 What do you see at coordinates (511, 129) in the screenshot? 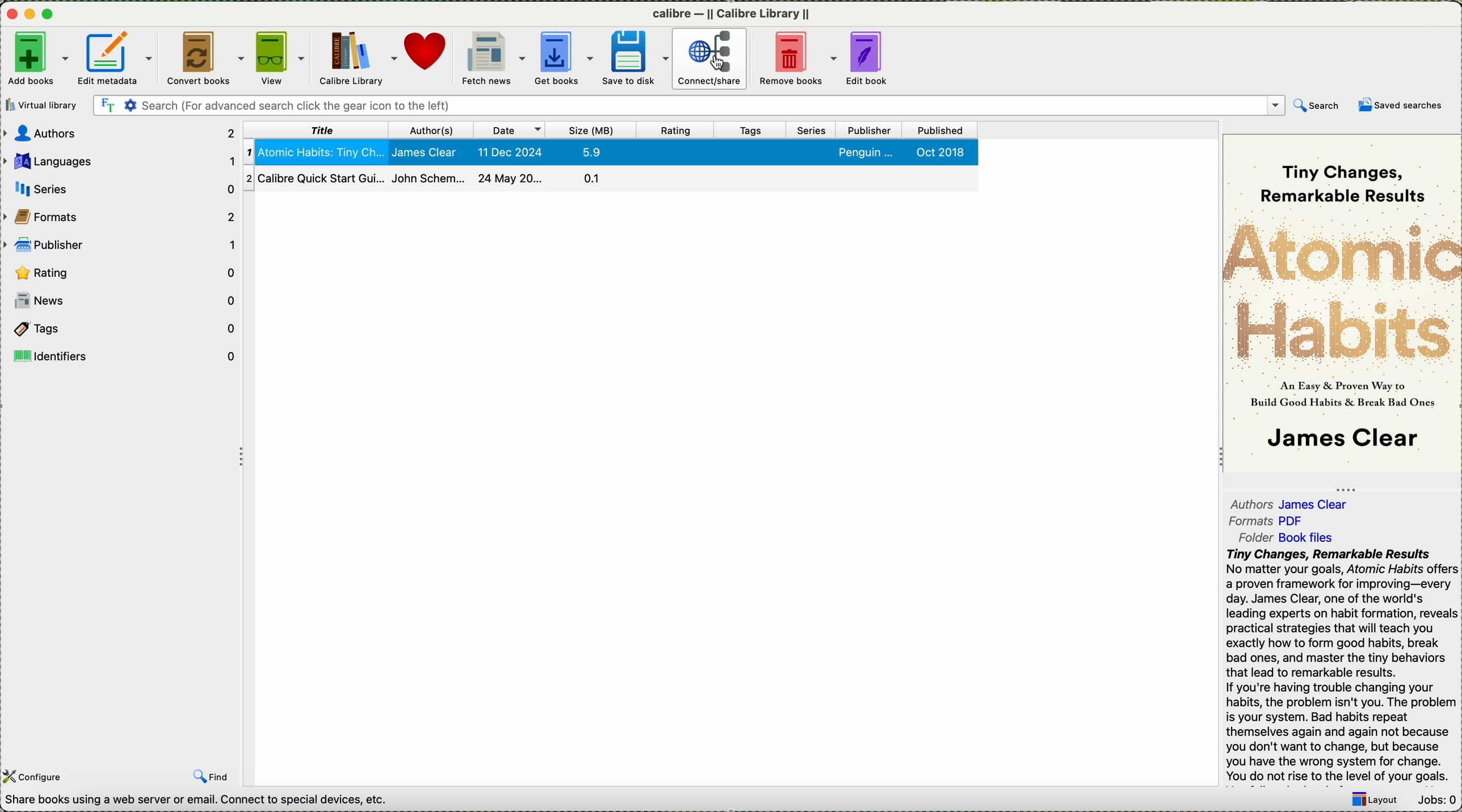
I see `date` at bounding box center [511, 129].